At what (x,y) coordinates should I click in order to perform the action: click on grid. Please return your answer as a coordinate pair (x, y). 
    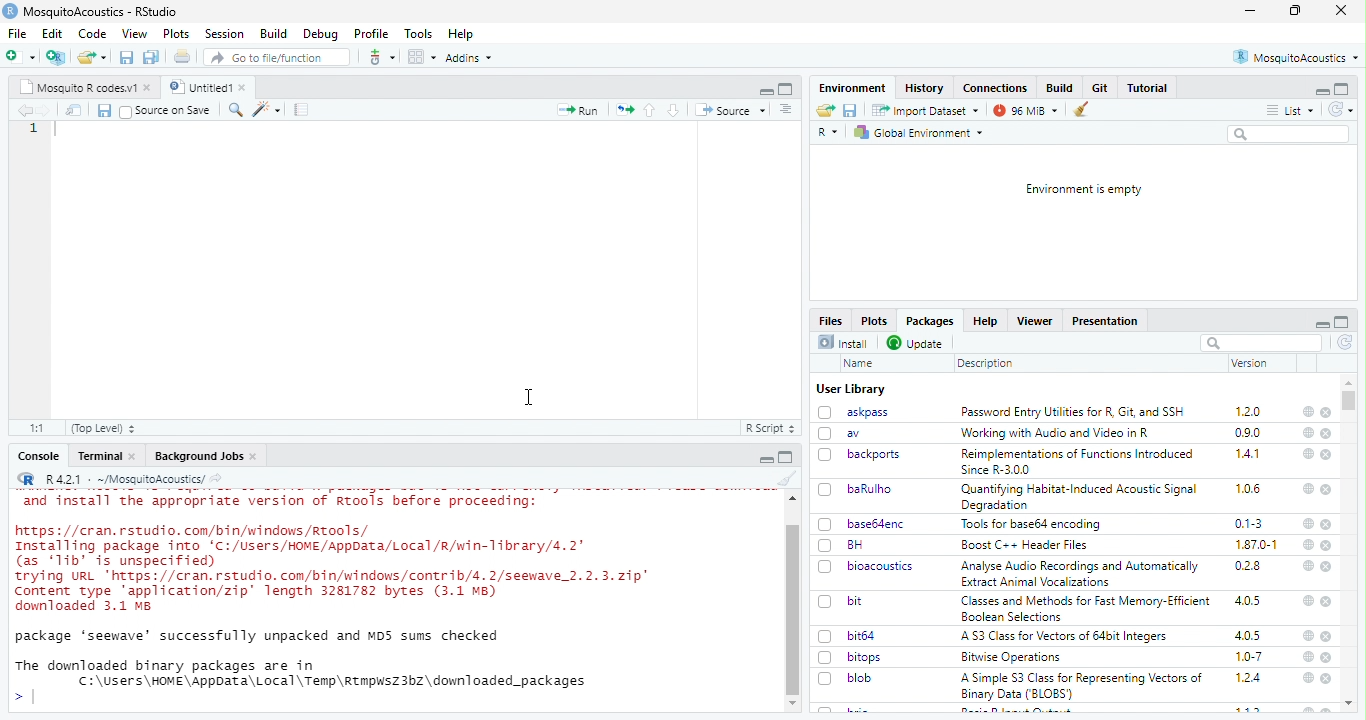
    Looking at the image, I should click on (421, 57).